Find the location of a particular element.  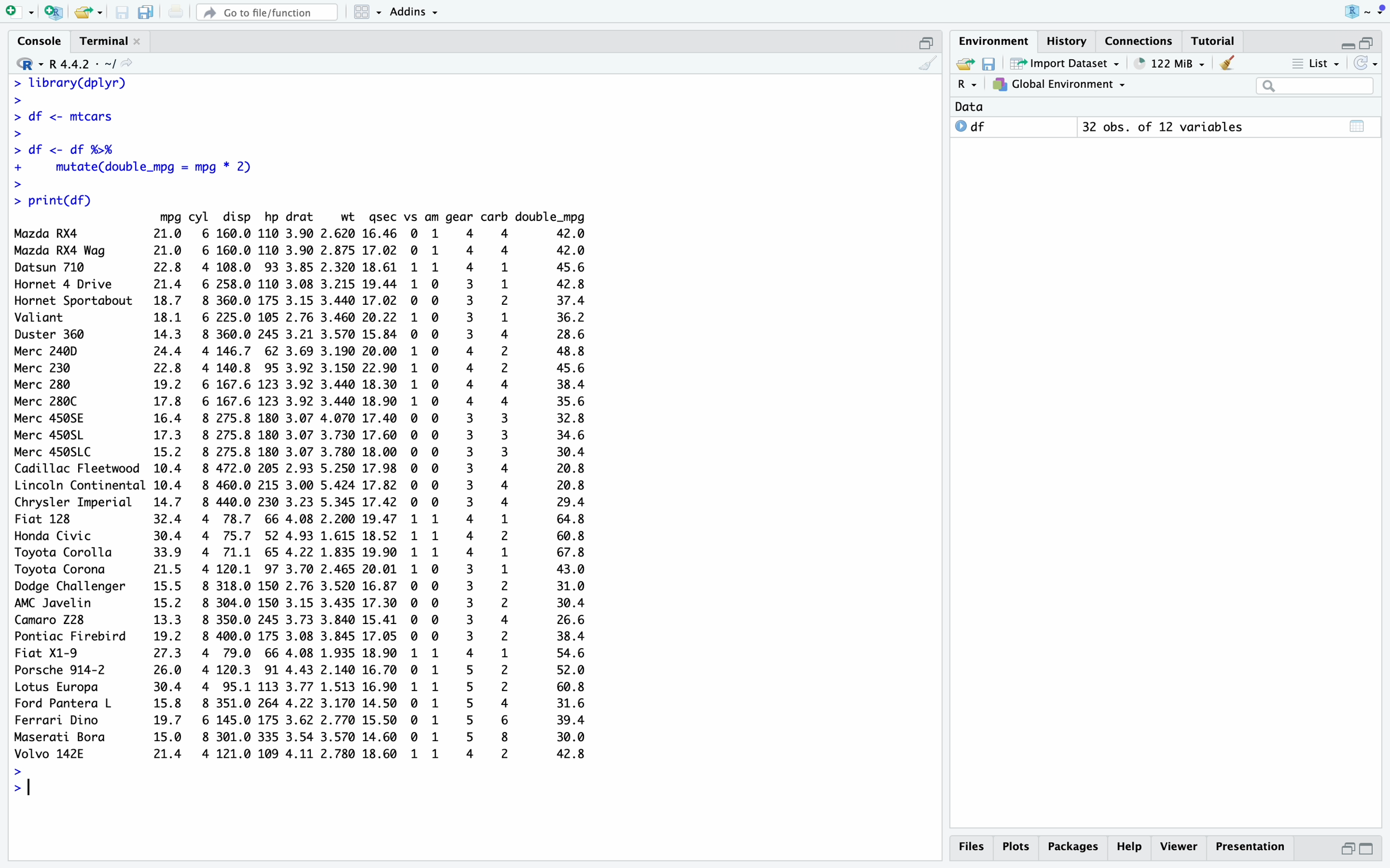

df is located at coordinates (971, 126).